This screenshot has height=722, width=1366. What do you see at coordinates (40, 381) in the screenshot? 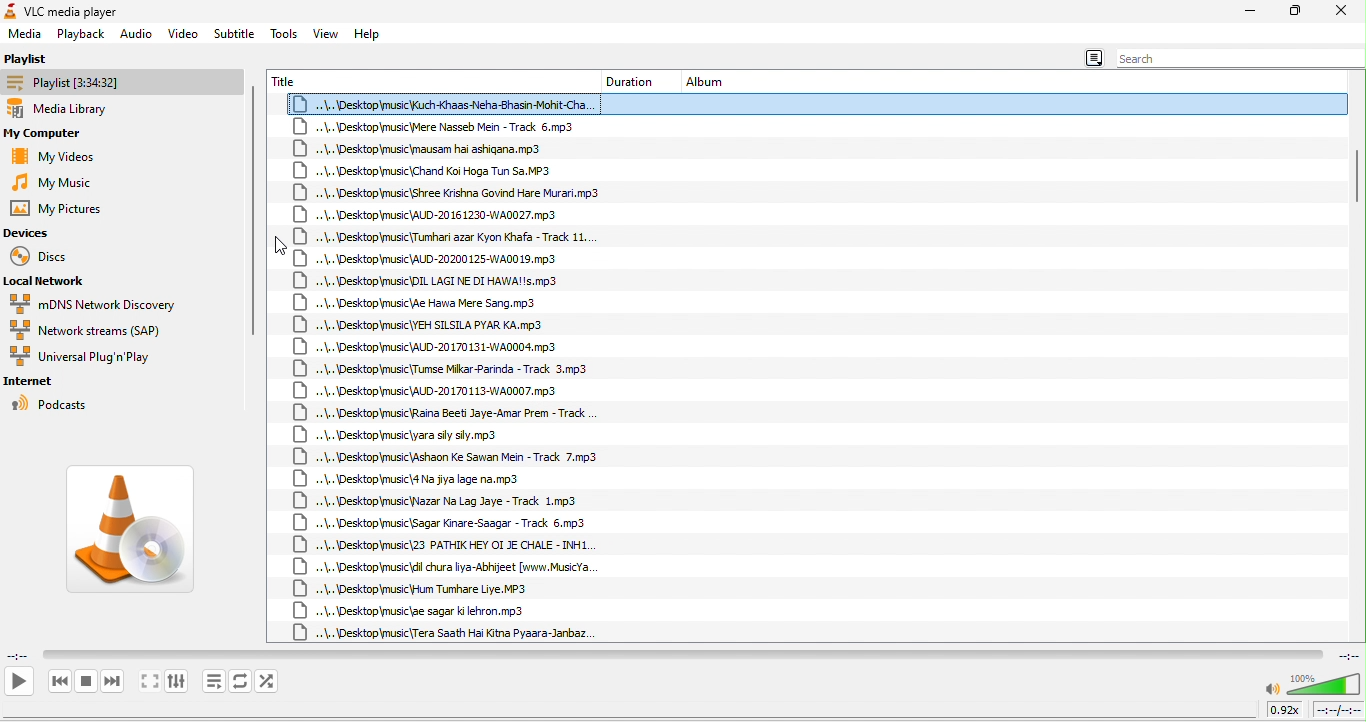
I see `internet` at bounding box center [40, 381].